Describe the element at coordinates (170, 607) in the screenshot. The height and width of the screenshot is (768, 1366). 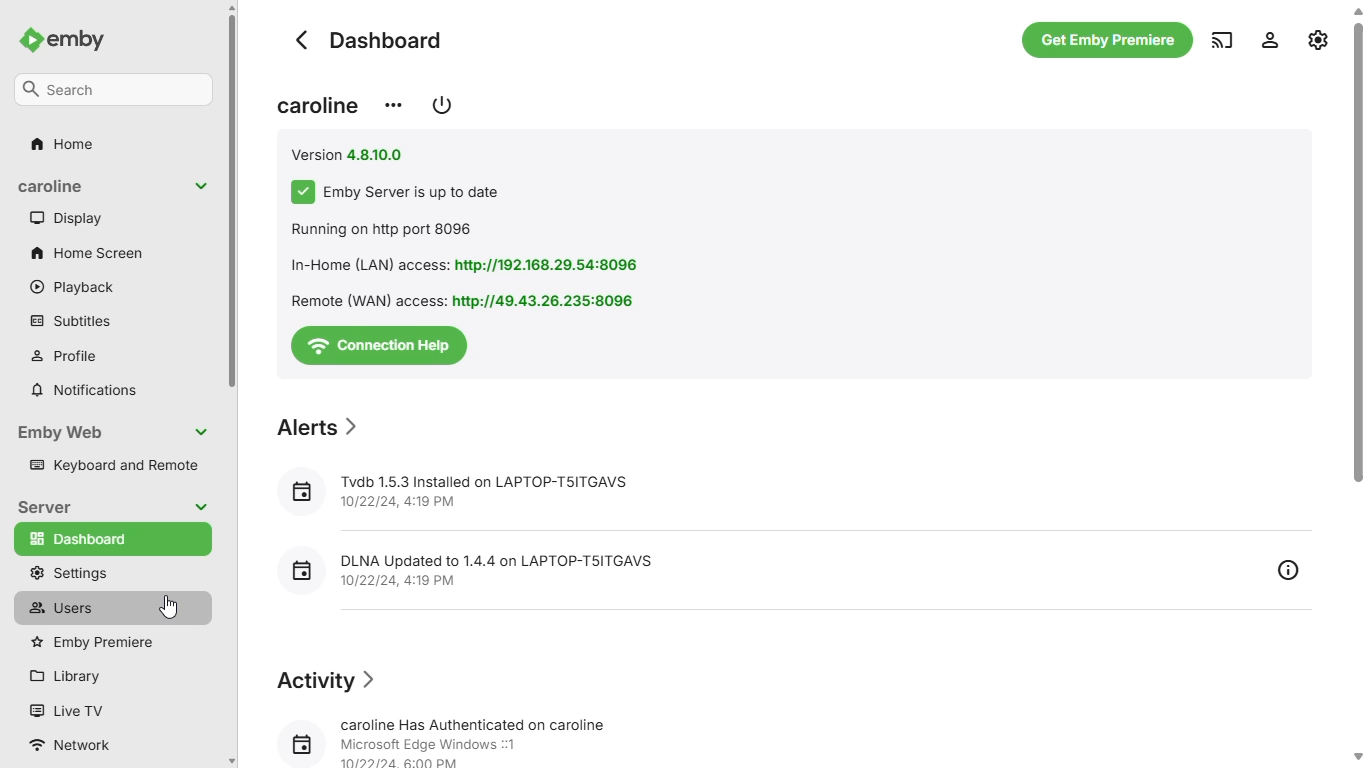
I see `cursor` at that location.